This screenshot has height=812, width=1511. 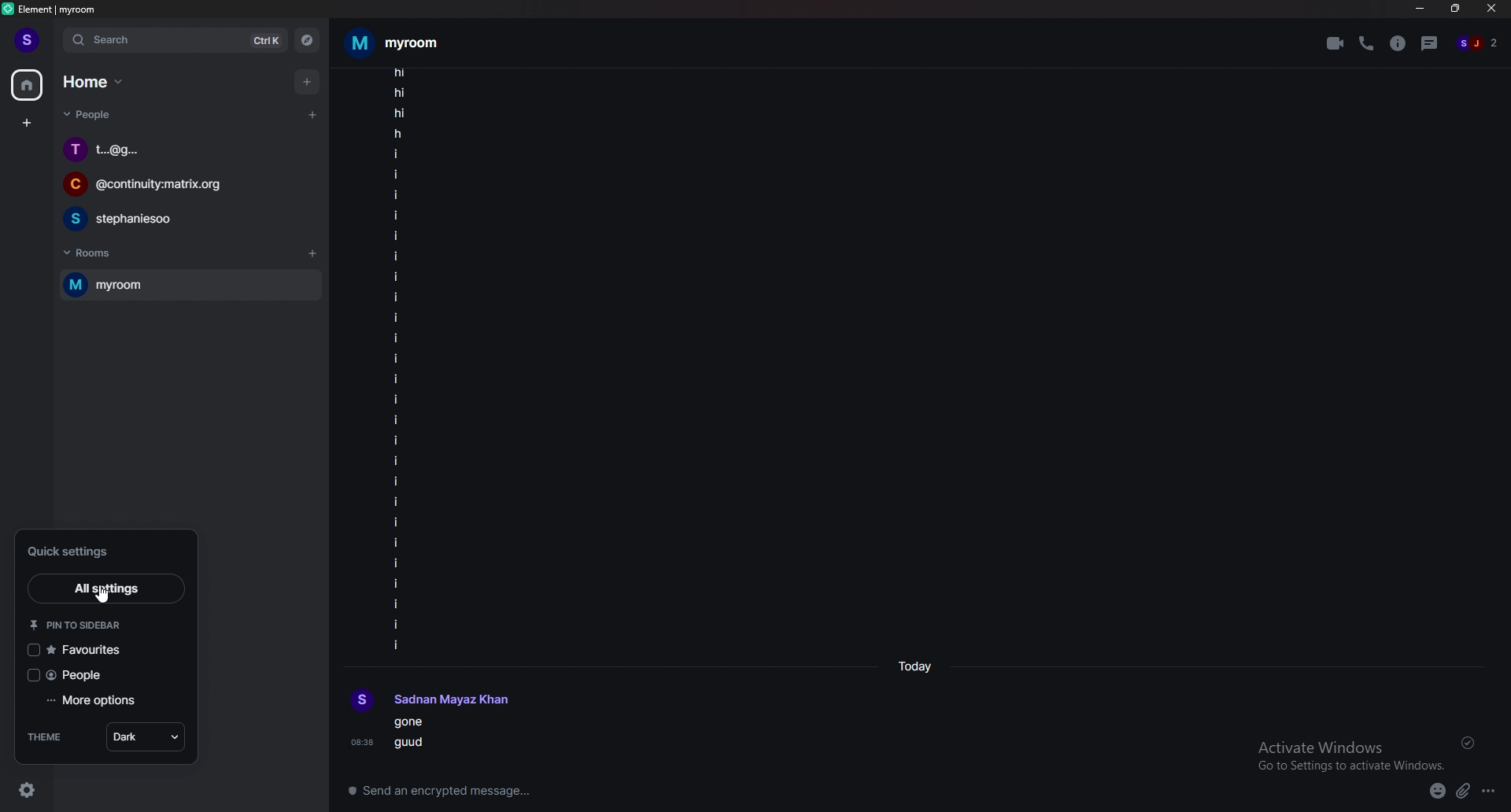 What do you see at coordinates (147, 736) in the screenshot?
I see `dark` at bounding box center [147, 736].